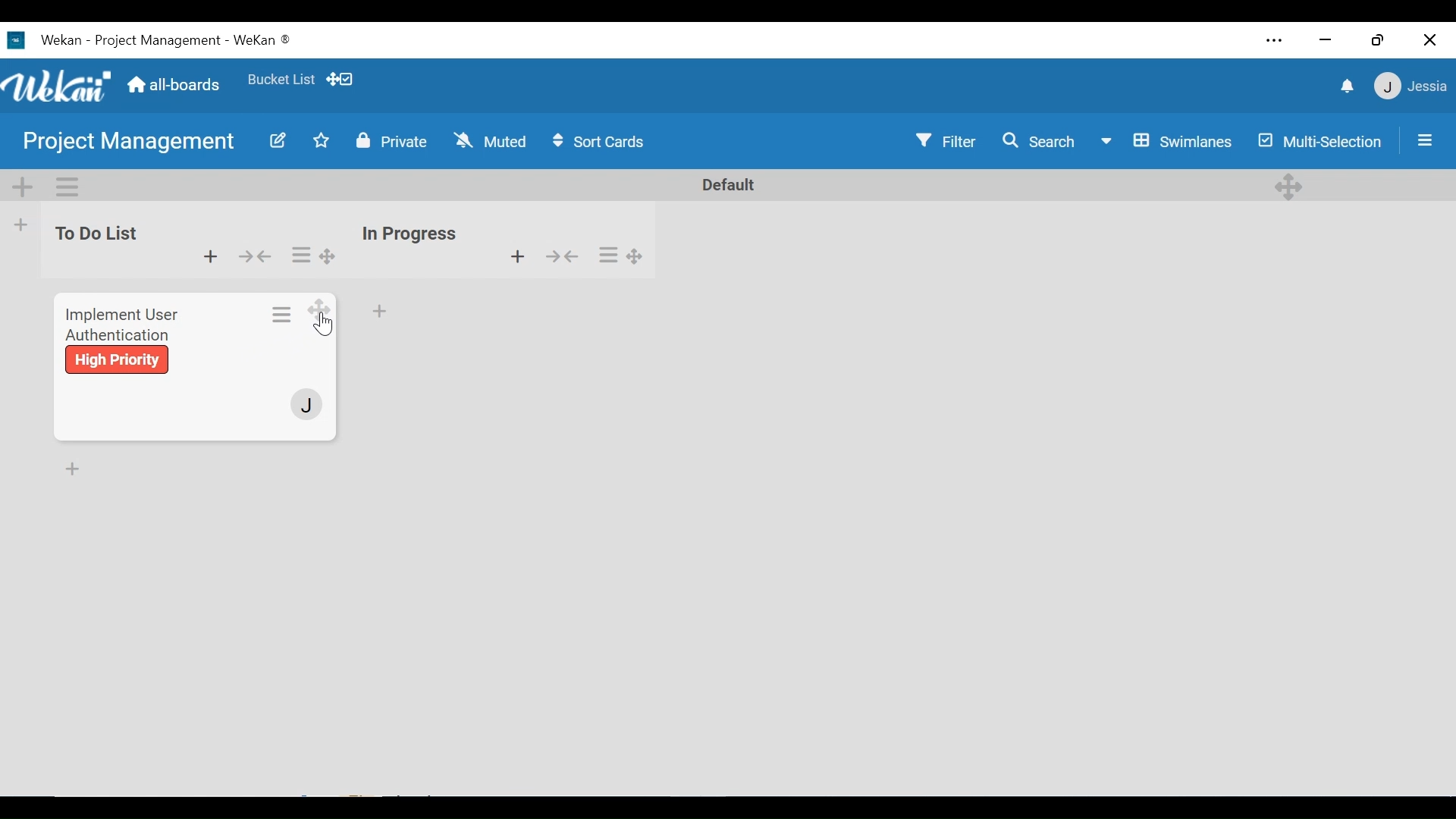  Describe the element at coordinates (60, 86) in the screenshot. I see `Wekan logo` at that location.